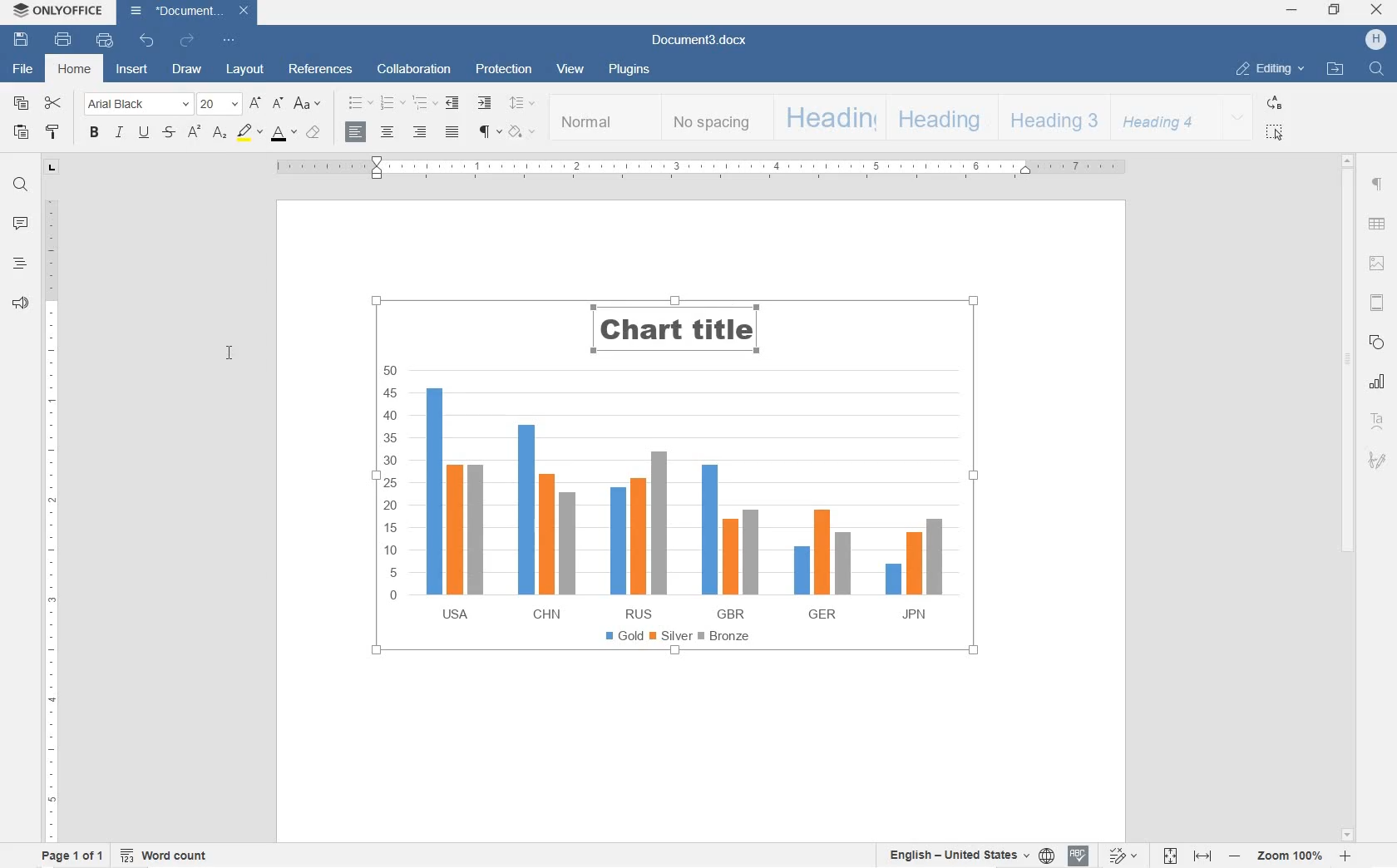 Image resolution: width=1397 pixels, height=868 pixels. What do you see at coordinates (245, 69) in the screenshot?
I see `LAYOUT` at bounding box center [245, 69].